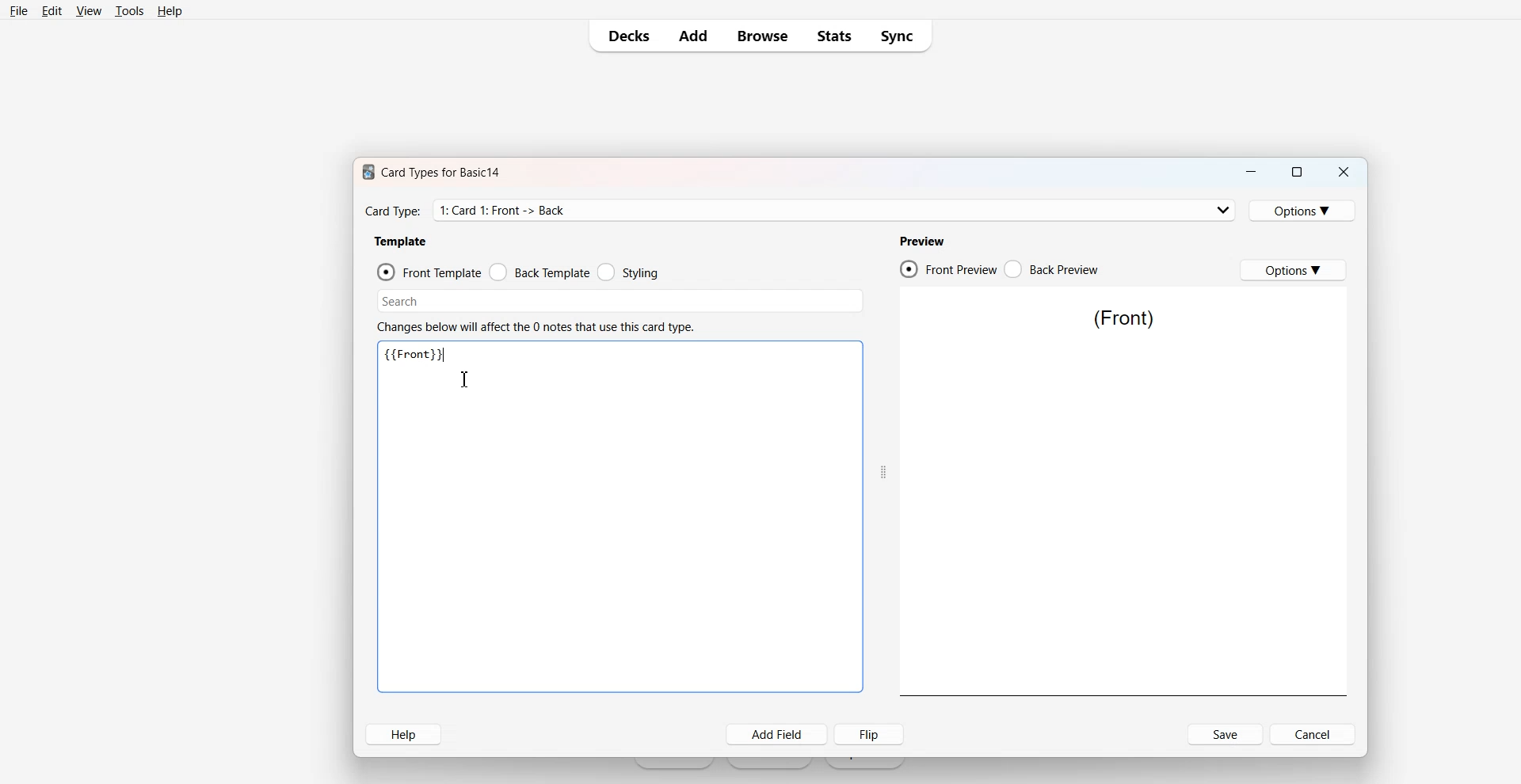  I want to click on Search Bar, so click(620, 301).